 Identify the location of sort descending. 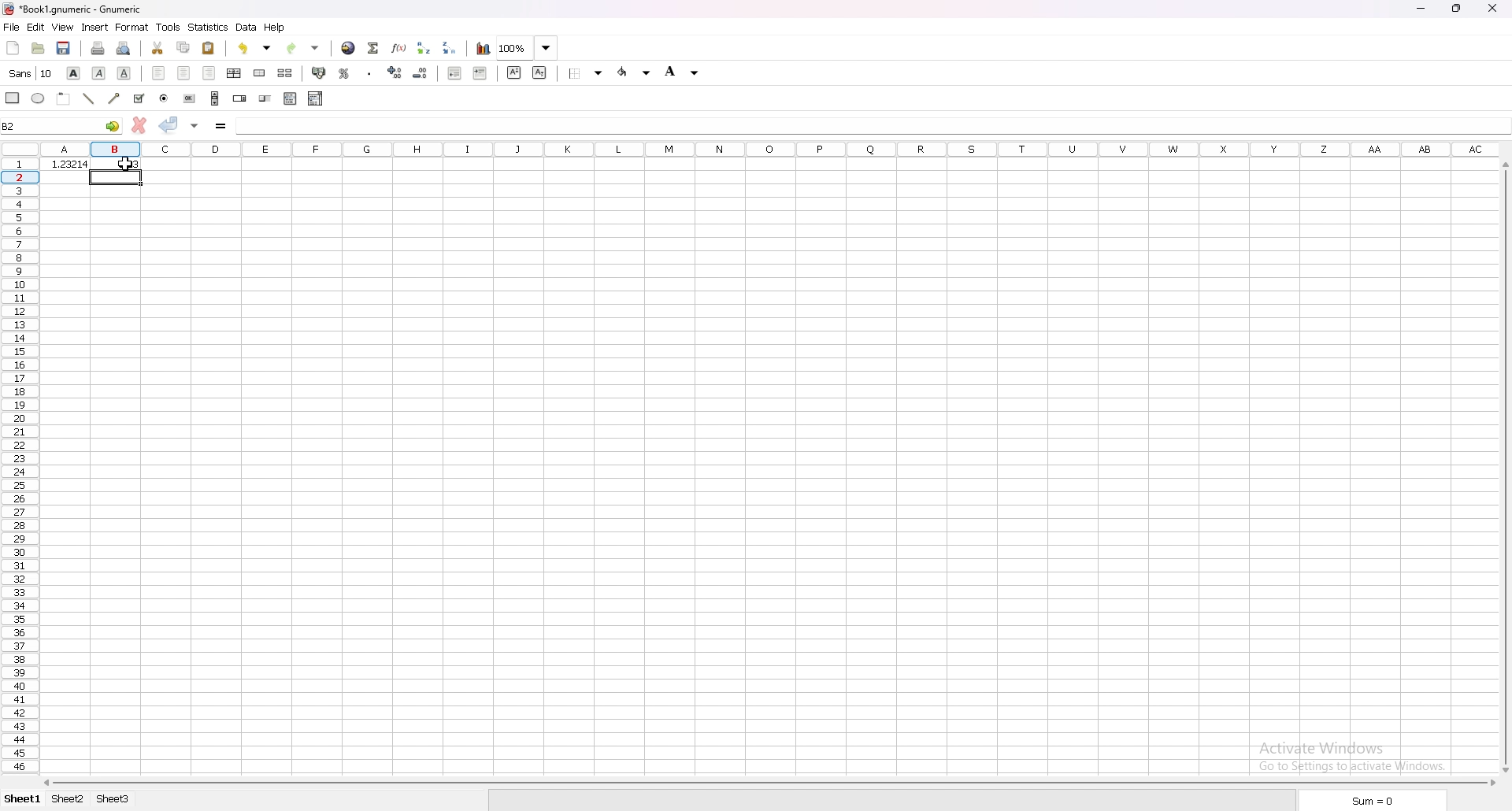
(450, 47).